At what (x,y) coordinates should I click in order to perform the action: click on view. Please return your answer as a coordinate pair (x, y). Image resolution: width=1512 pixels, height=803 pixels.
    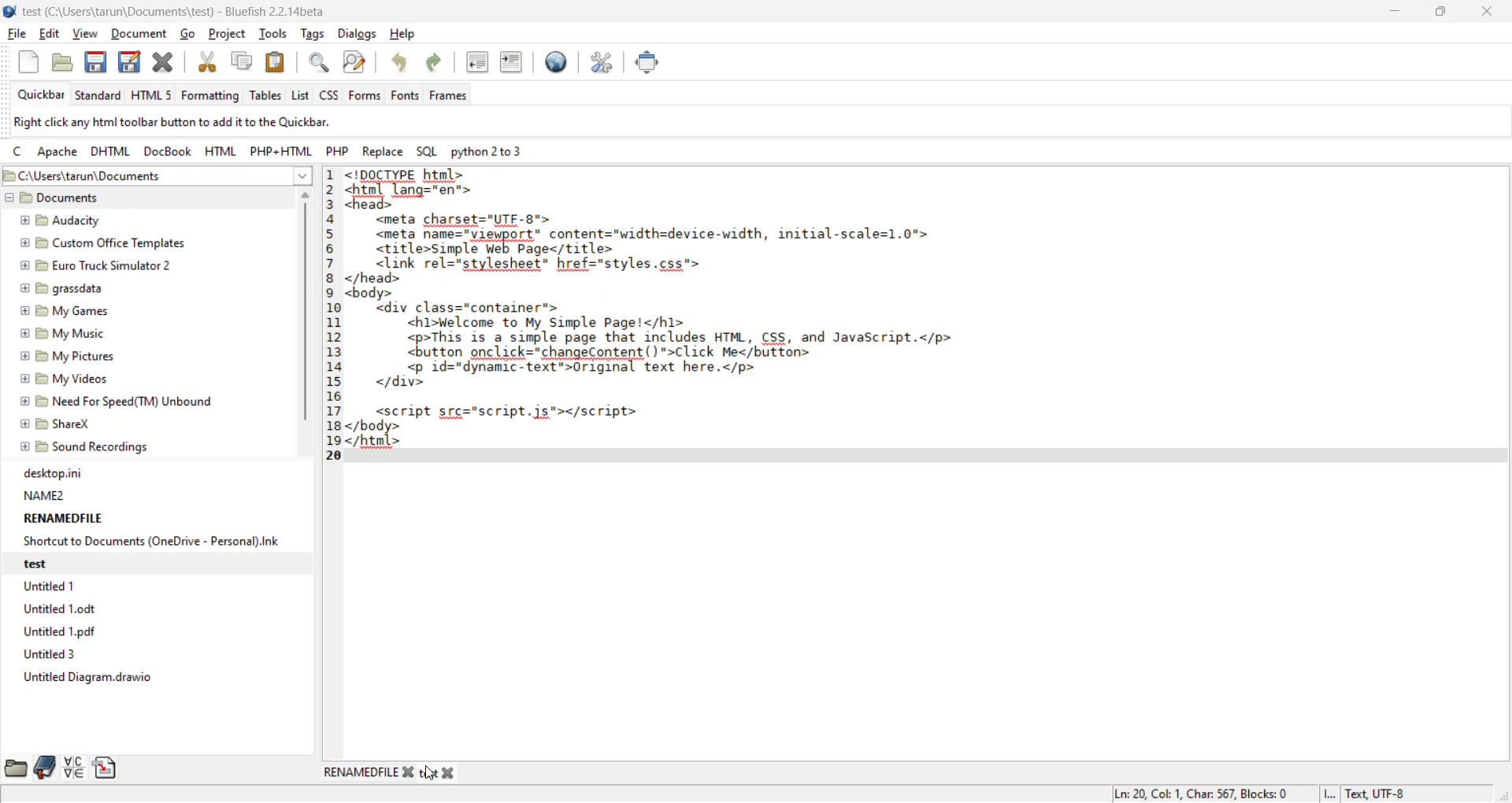
    Looking at the image, I should click on (88, 31).